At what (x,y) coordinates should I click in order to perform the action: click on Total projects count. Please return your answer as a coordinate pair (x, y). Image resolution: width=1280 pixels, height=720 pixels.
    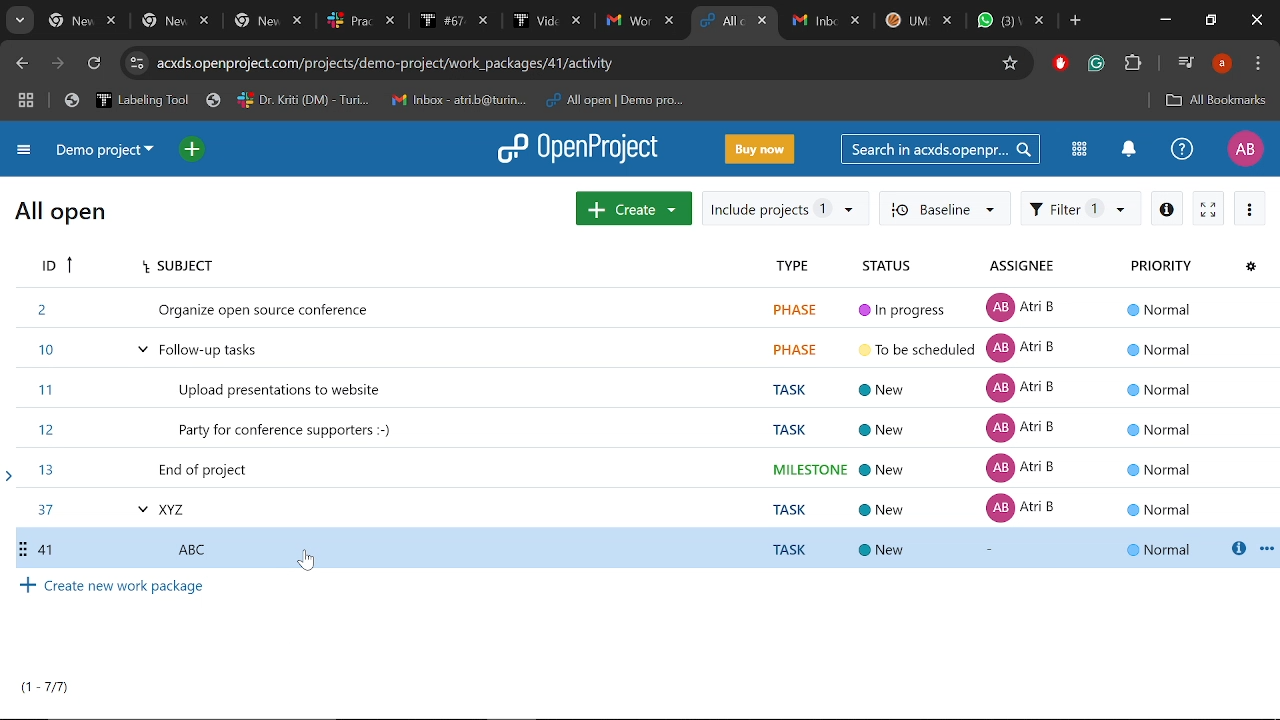
    Looking at the image, I should click on (49, 690).